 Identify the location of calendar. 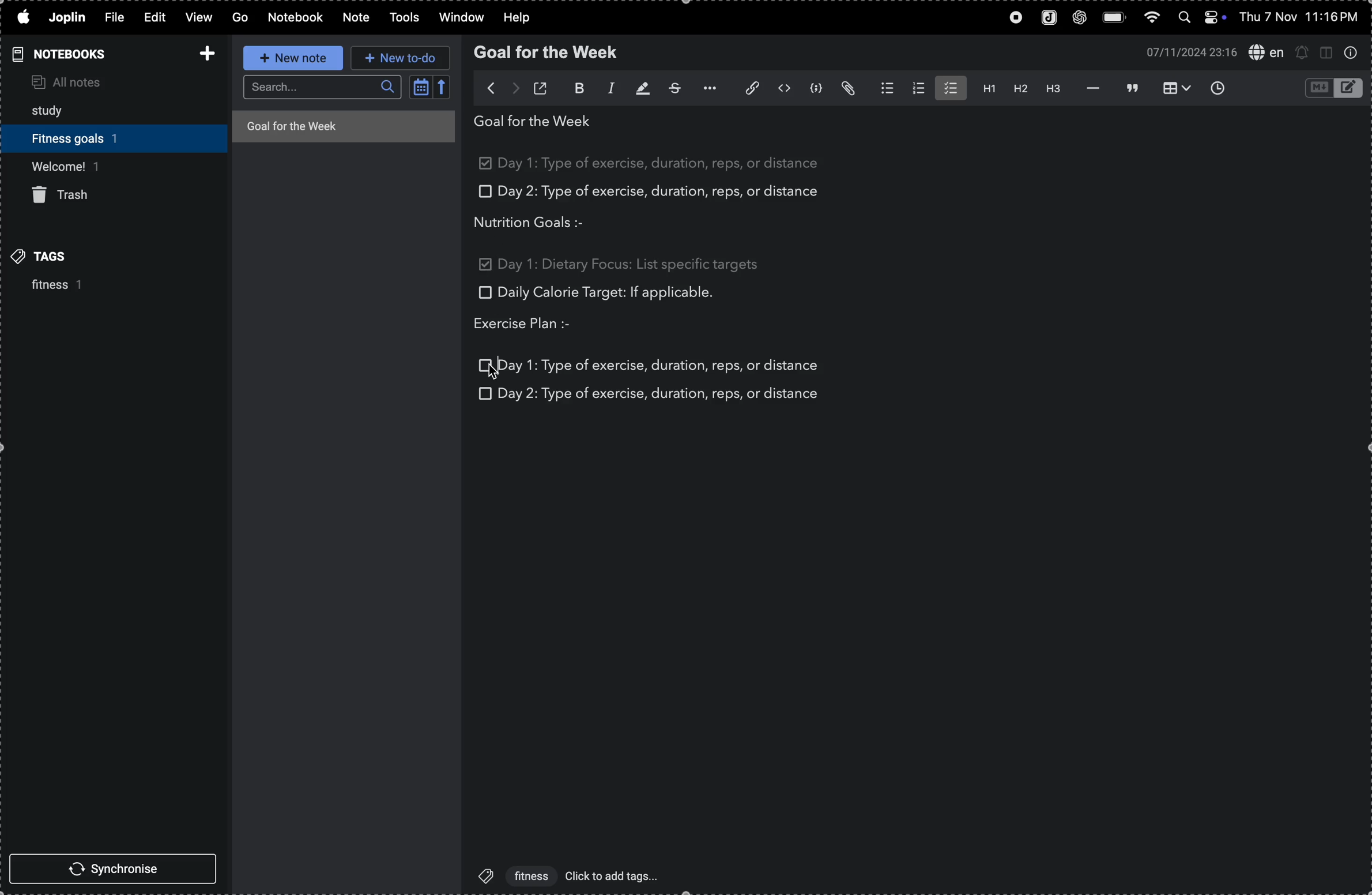
(430, 89).